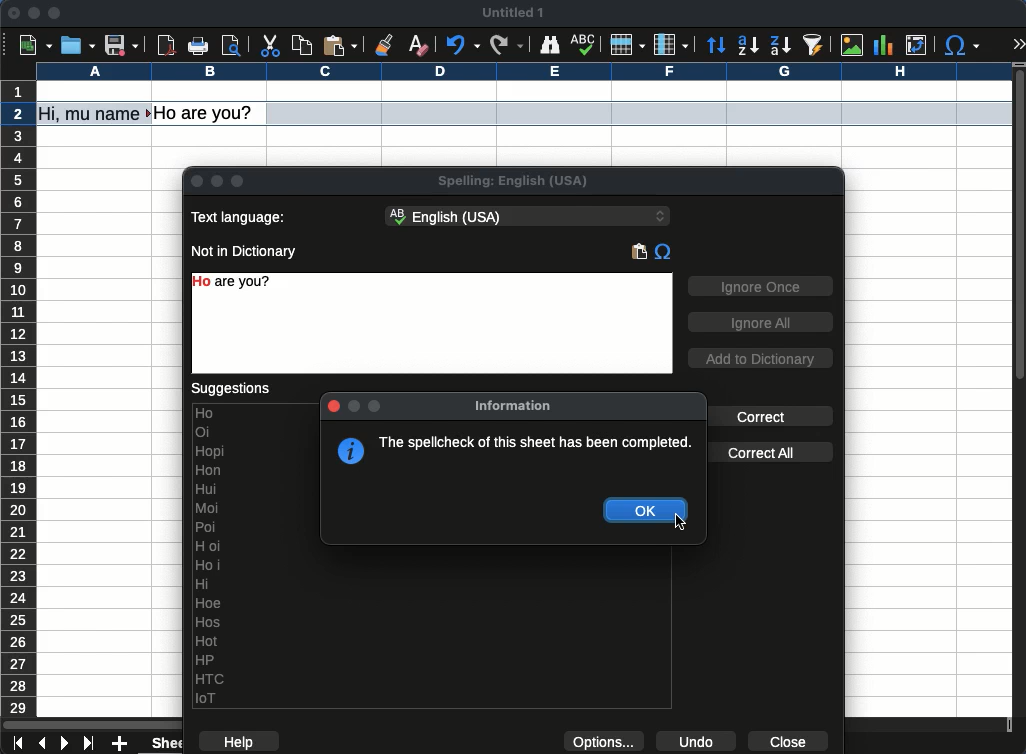 This screenshot has width=1026, height=754. I want to click on IoT, so click(210, 698).